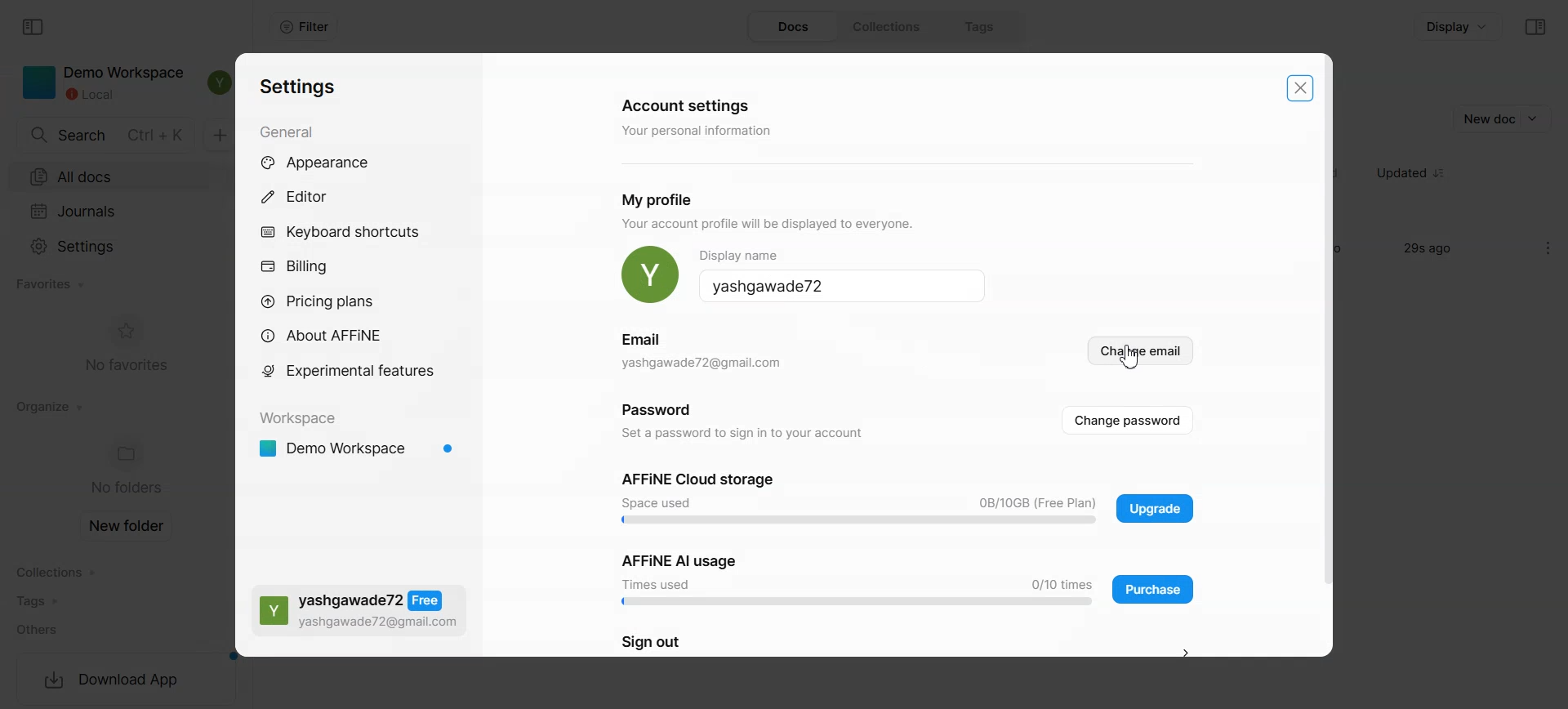  Describe the element at coordinates (843, 287) in the screenshot. I see `Display name` at that location.